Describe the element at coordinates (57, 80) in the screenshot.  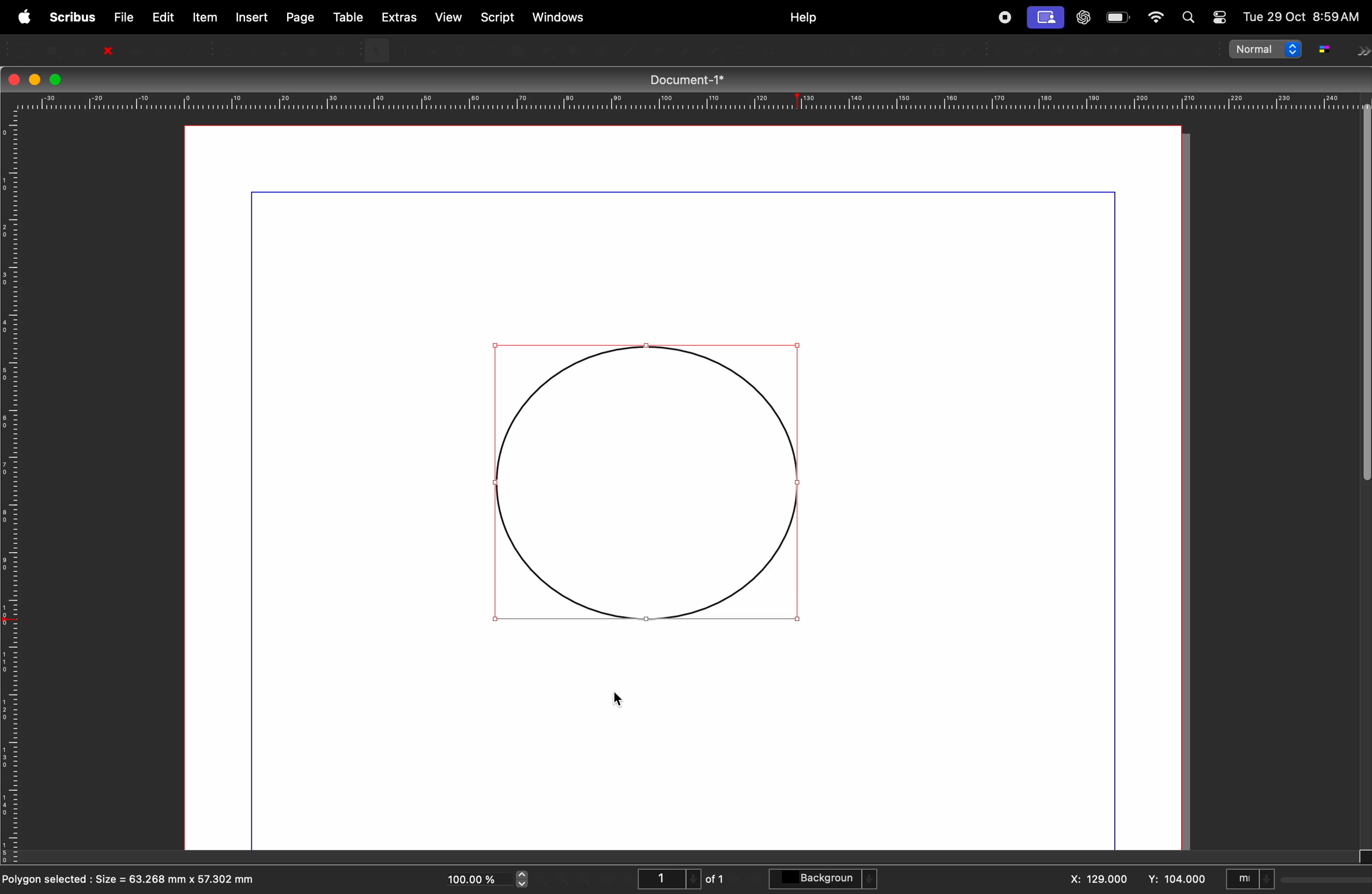
I see `maximize` at that location.